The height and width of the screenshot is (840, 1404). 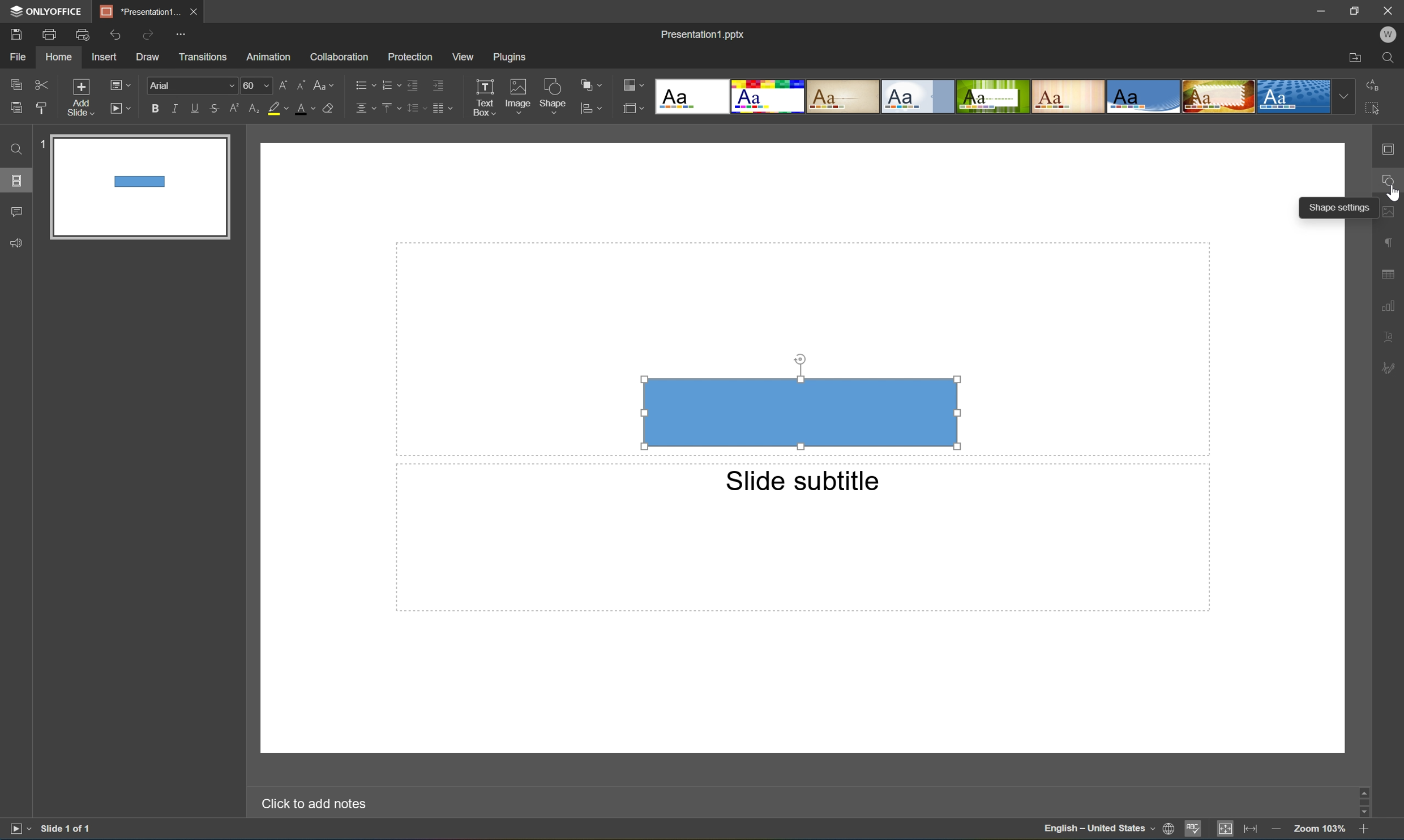 What do you see at coordinates (485, 97) in the screenshot?
I see `Text box` at bounding box center [485, 97].